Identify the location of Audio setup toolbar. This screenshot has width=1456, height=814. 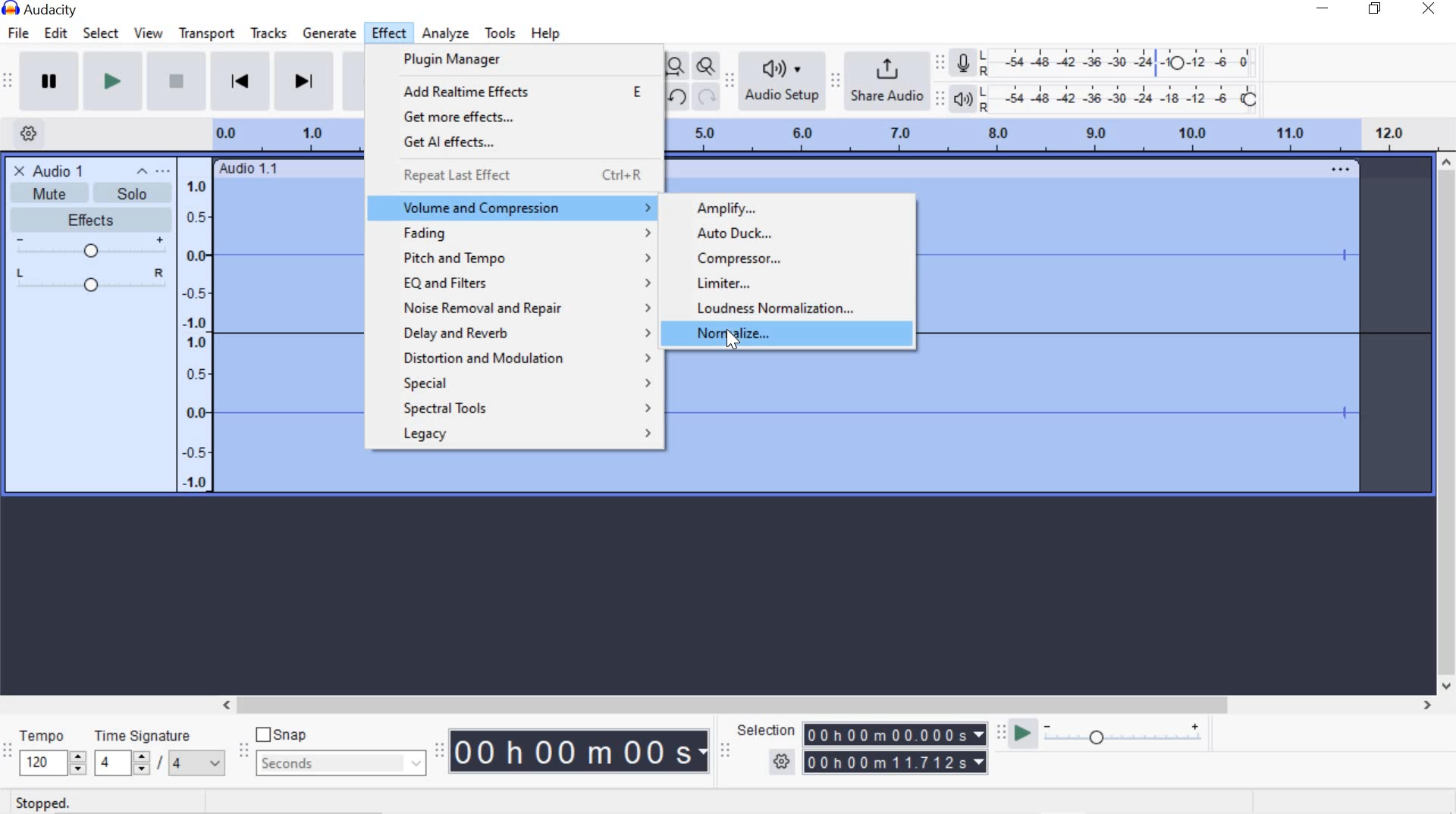
(730, 82).